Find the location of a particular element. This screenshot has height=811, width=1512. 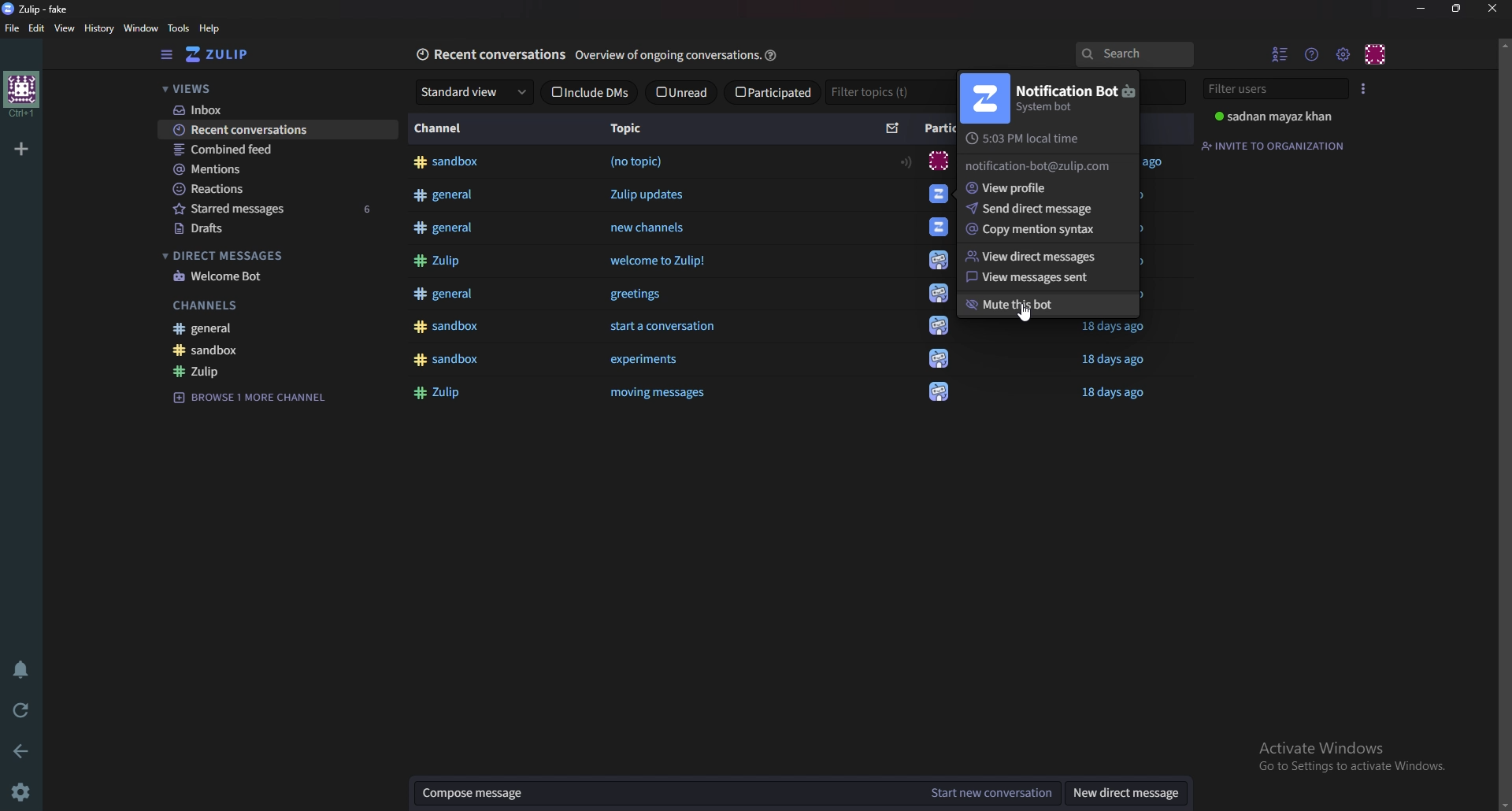

welcome bot is located at coordinates (265, 278).